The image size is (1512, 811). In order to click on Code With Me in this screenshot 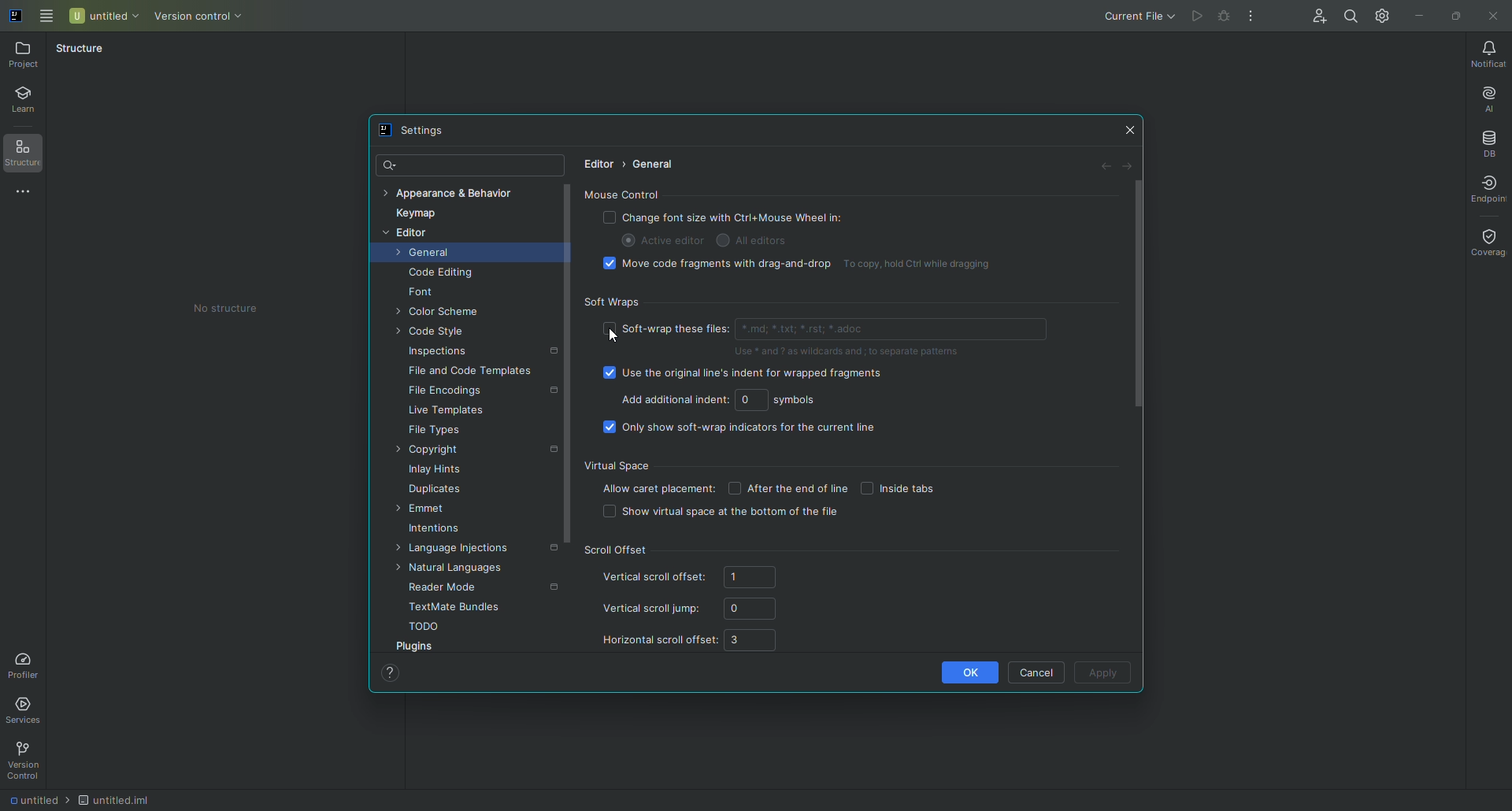, I will do `click(1316, 17)`.